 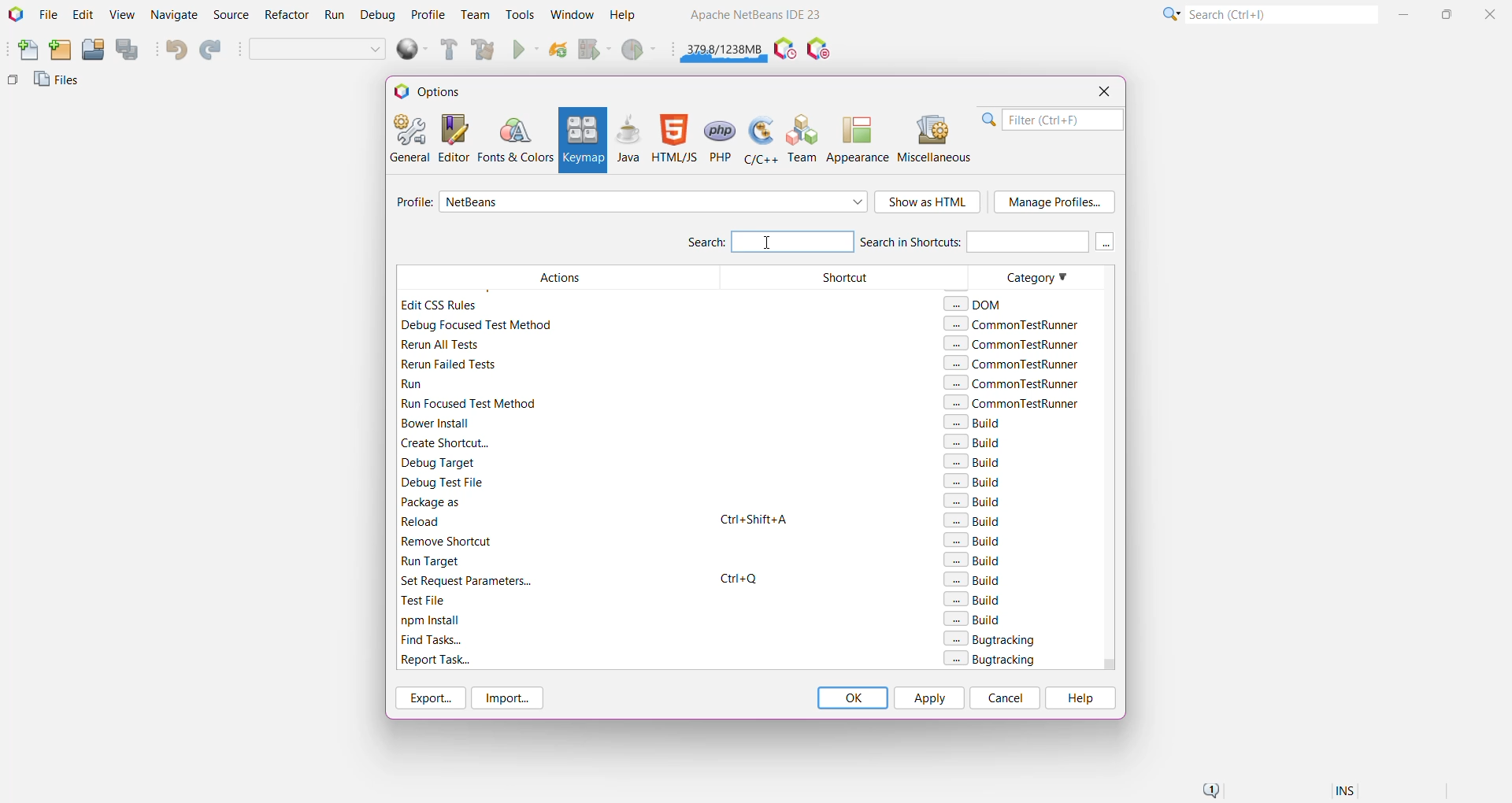 I want to click on Profile, so click(x=412, y=204).